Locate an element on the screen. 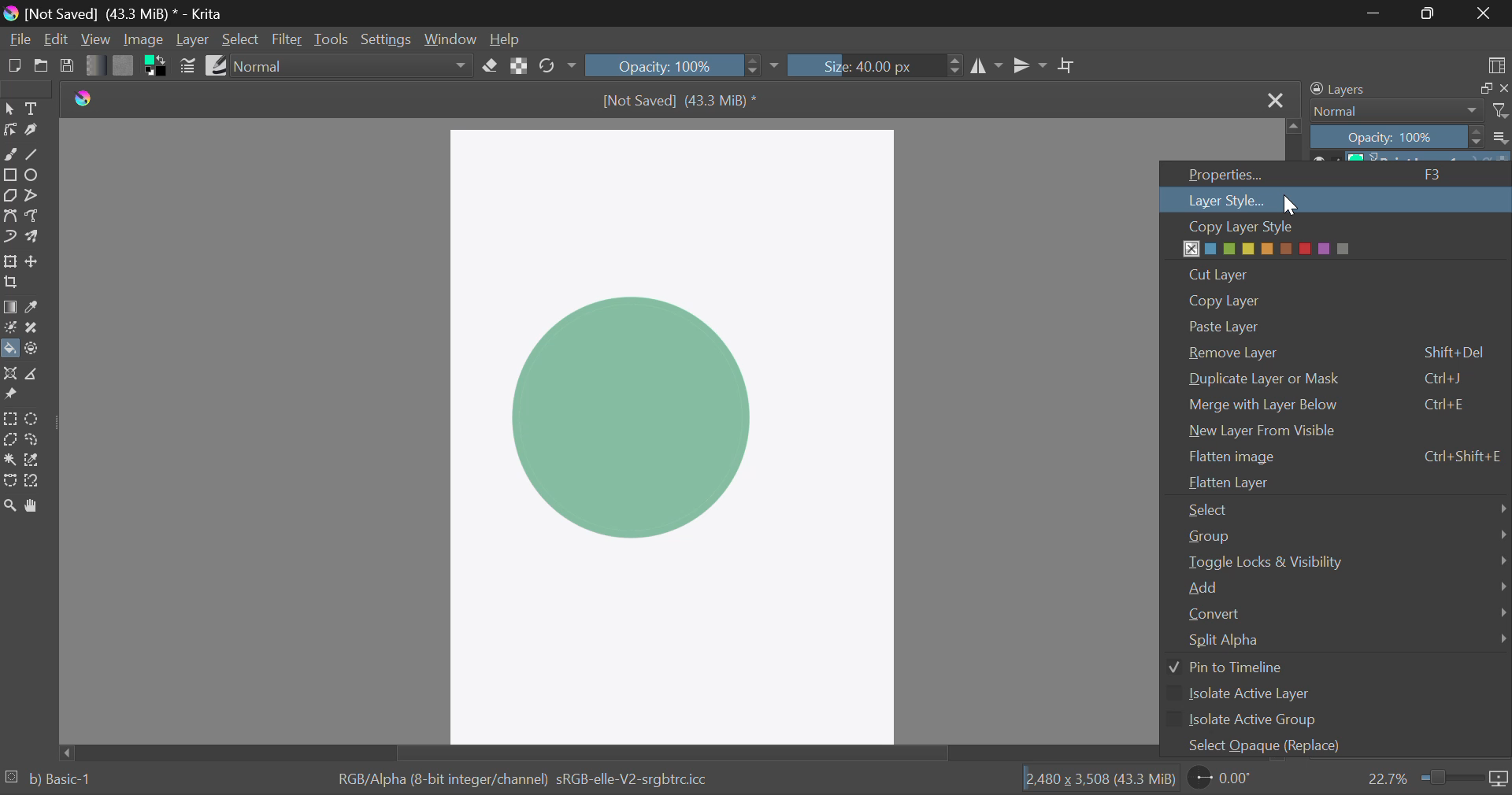 This screenshot has width=1512, height=795. Brush Settings is located at coordinates (187, 66).